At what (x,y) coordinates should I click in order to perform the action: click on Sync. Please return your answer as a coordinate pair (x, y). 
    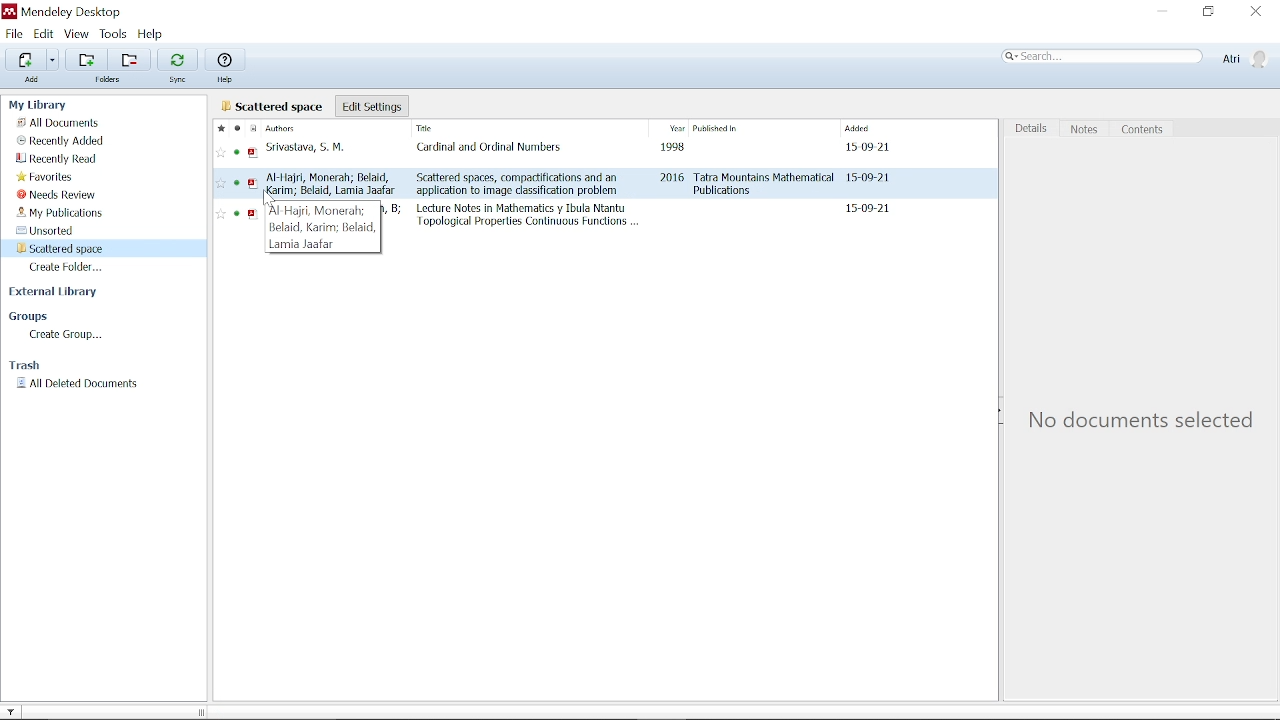
    Looking at the image, I should click on (177, 59).